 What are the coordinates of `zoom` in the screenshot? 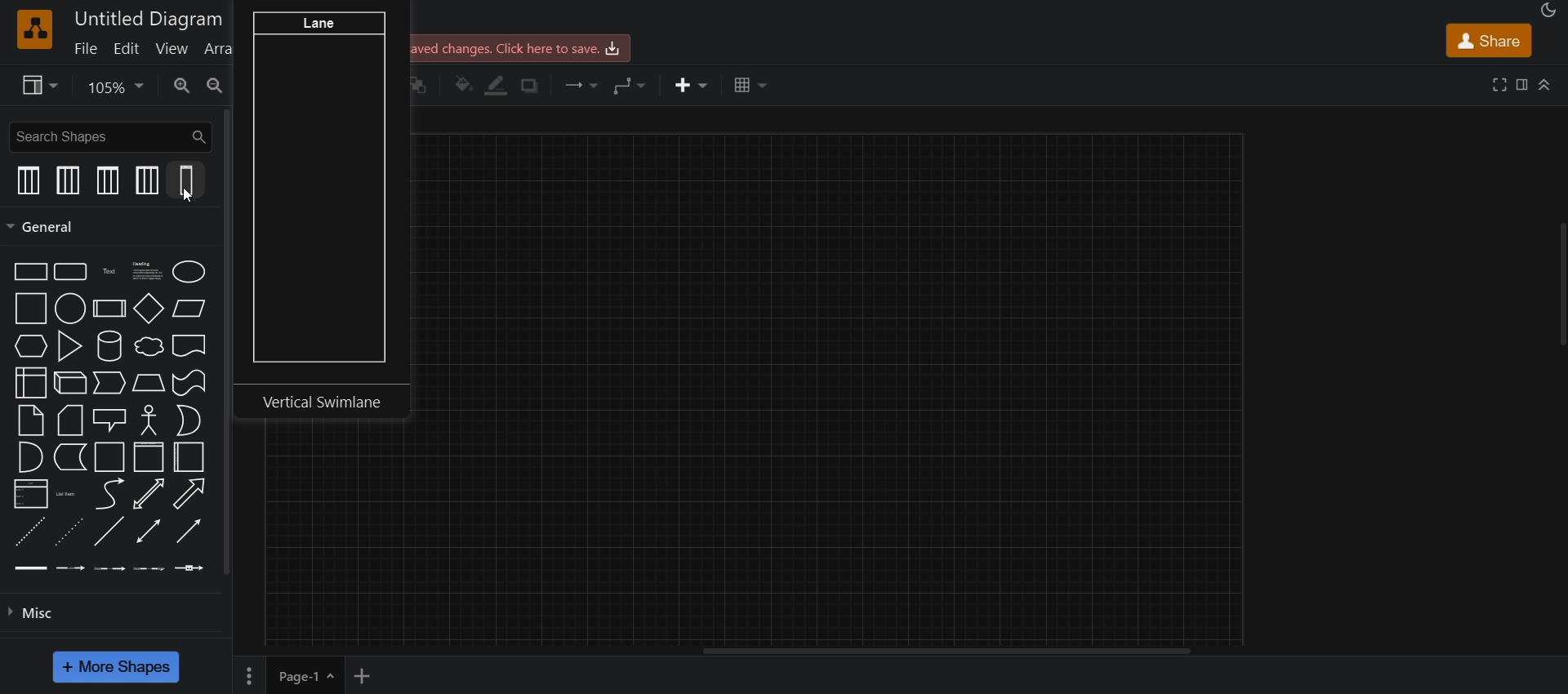 It's located at (116, 88).